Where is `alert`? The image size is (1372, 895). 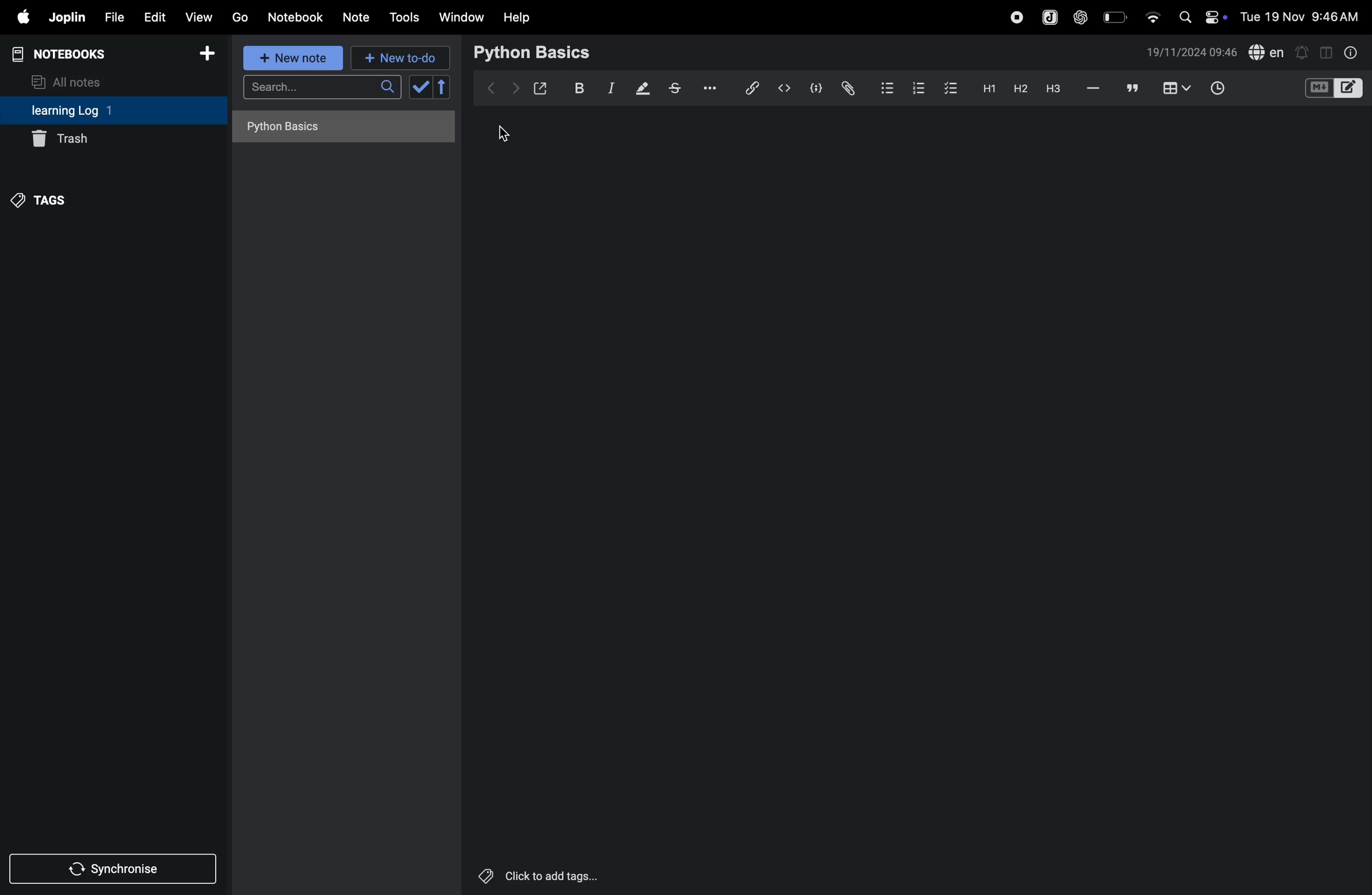 alert is located at coordinates (1303, 51).